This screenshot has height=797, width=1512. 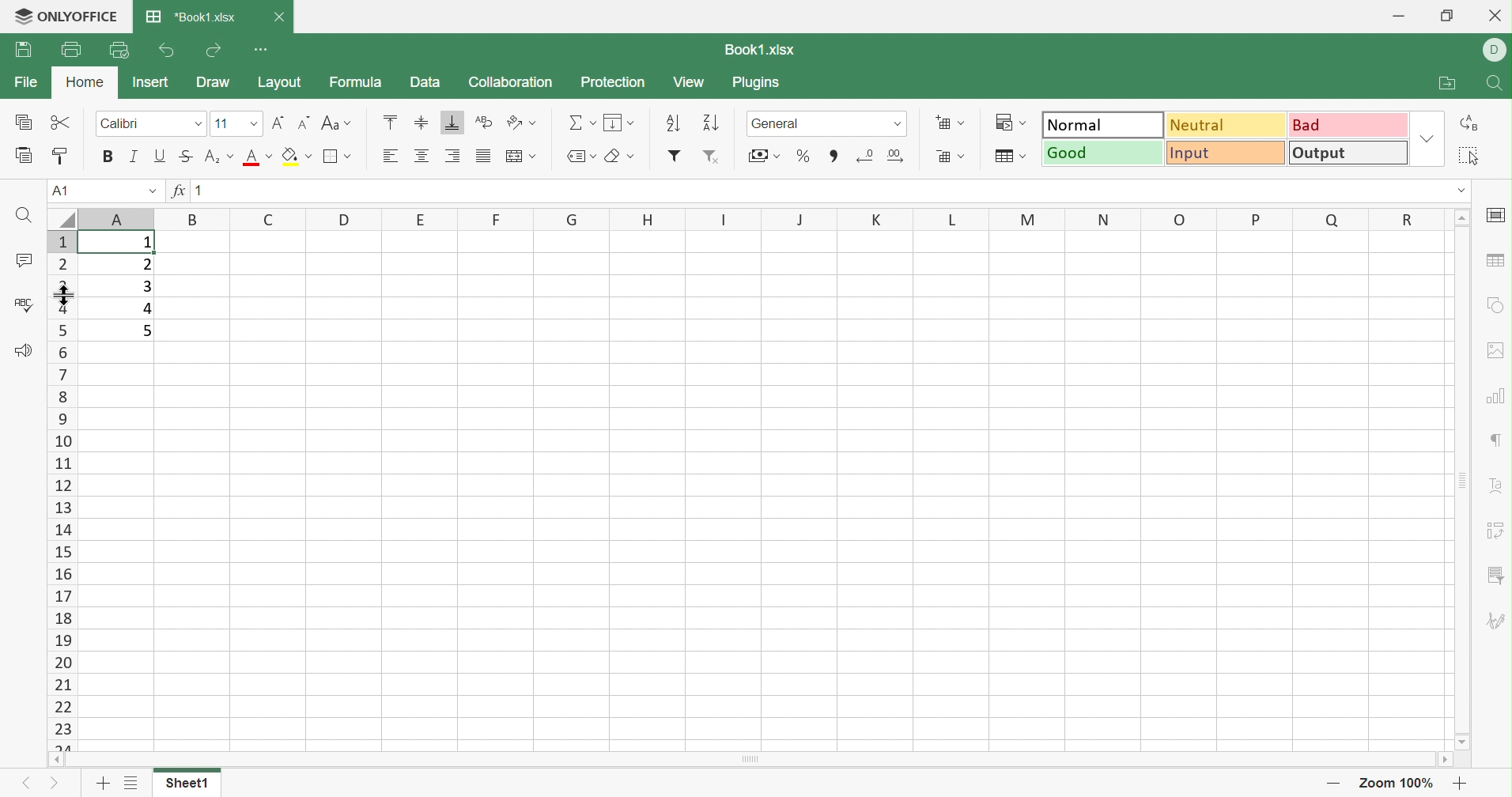 What do you see at coordinates (28, 782) in the screenshot?
I see `Previous` at bounding box center [28, 782].